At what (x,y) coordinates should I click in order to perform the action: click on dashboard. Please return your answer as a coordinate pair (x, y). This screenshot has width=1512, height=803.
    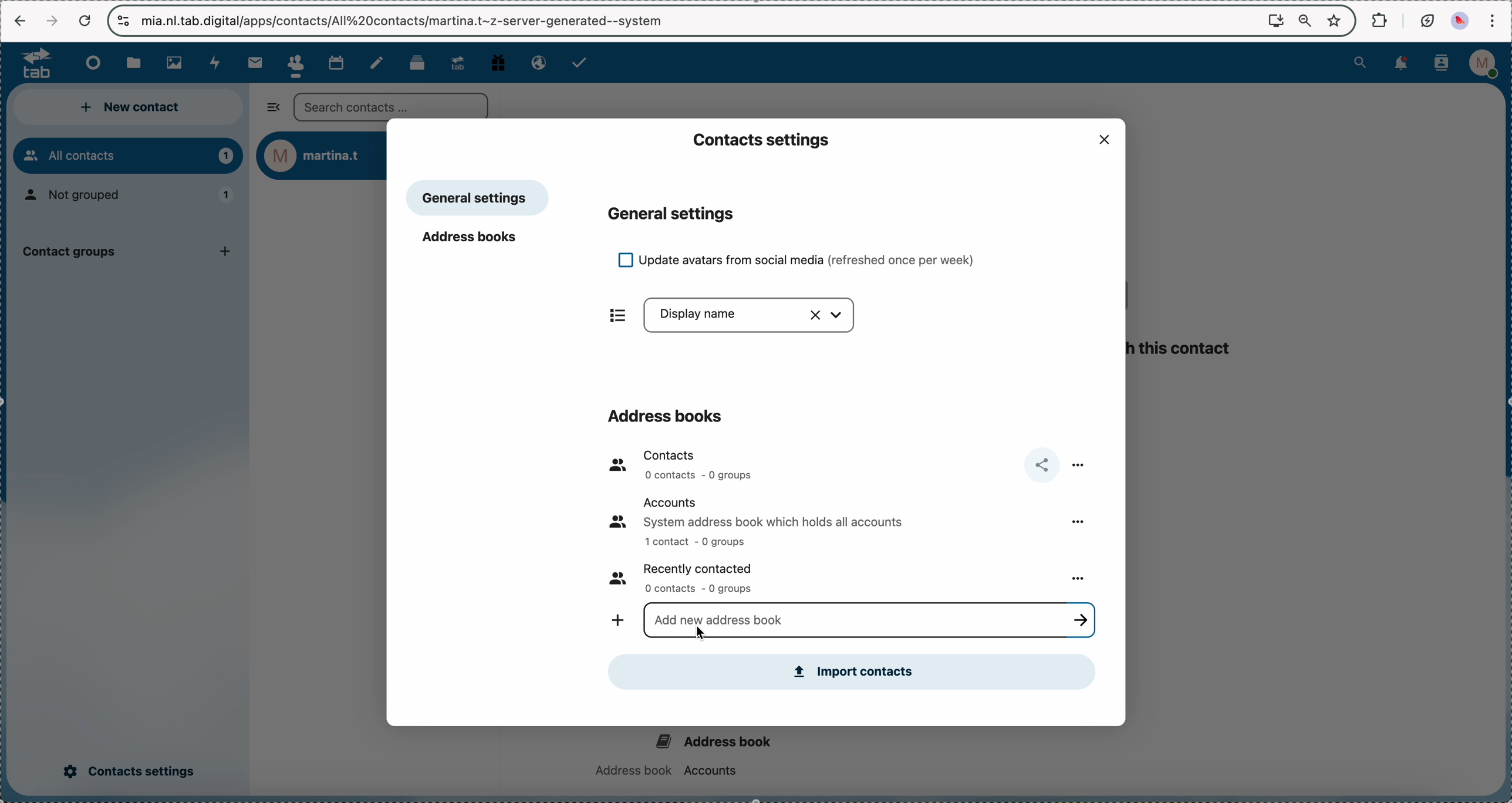
    Looking at the image, I should click on (88, 63).